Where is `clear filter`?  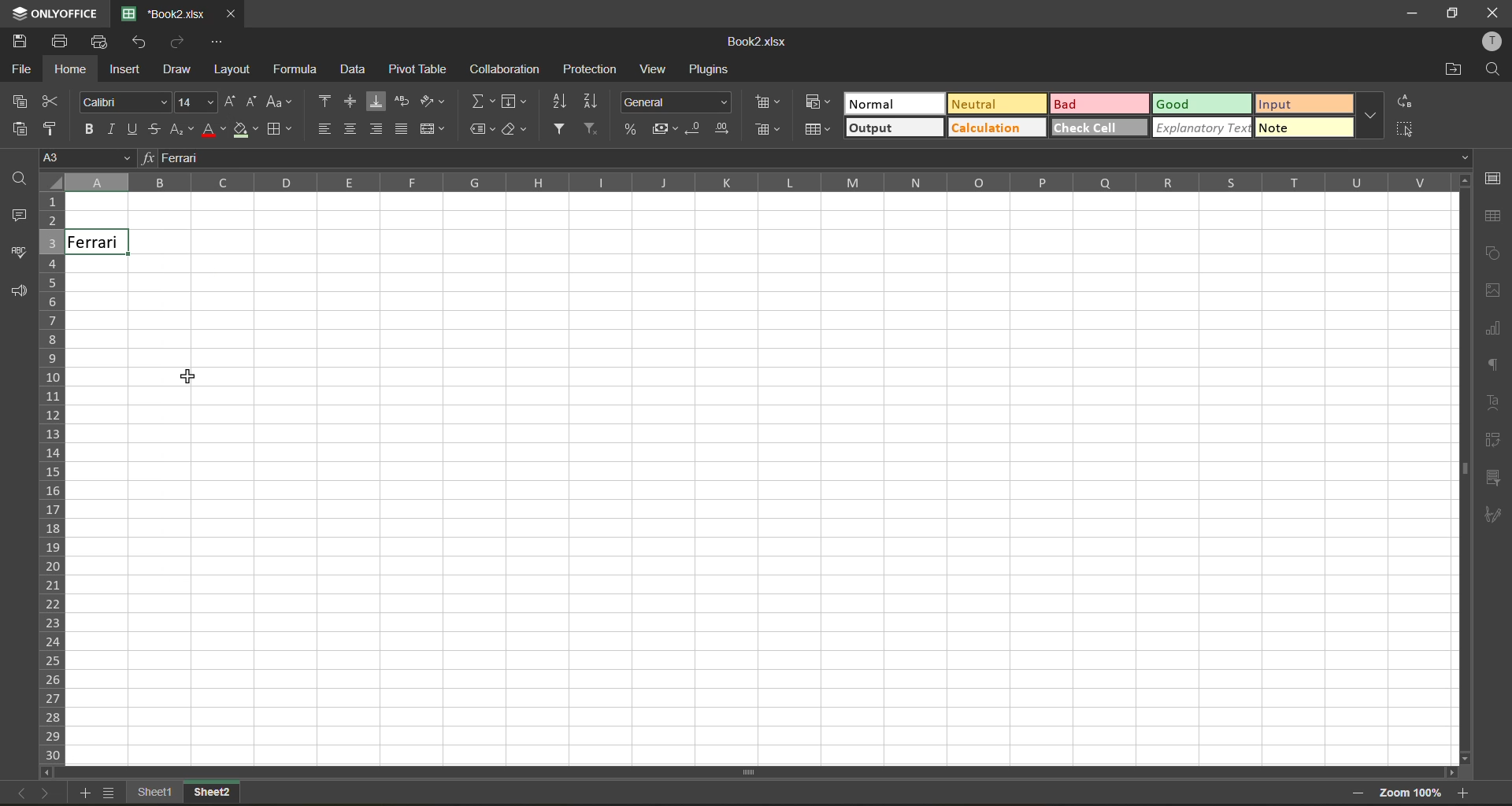
clear filter is located at coordinates (591, 128).